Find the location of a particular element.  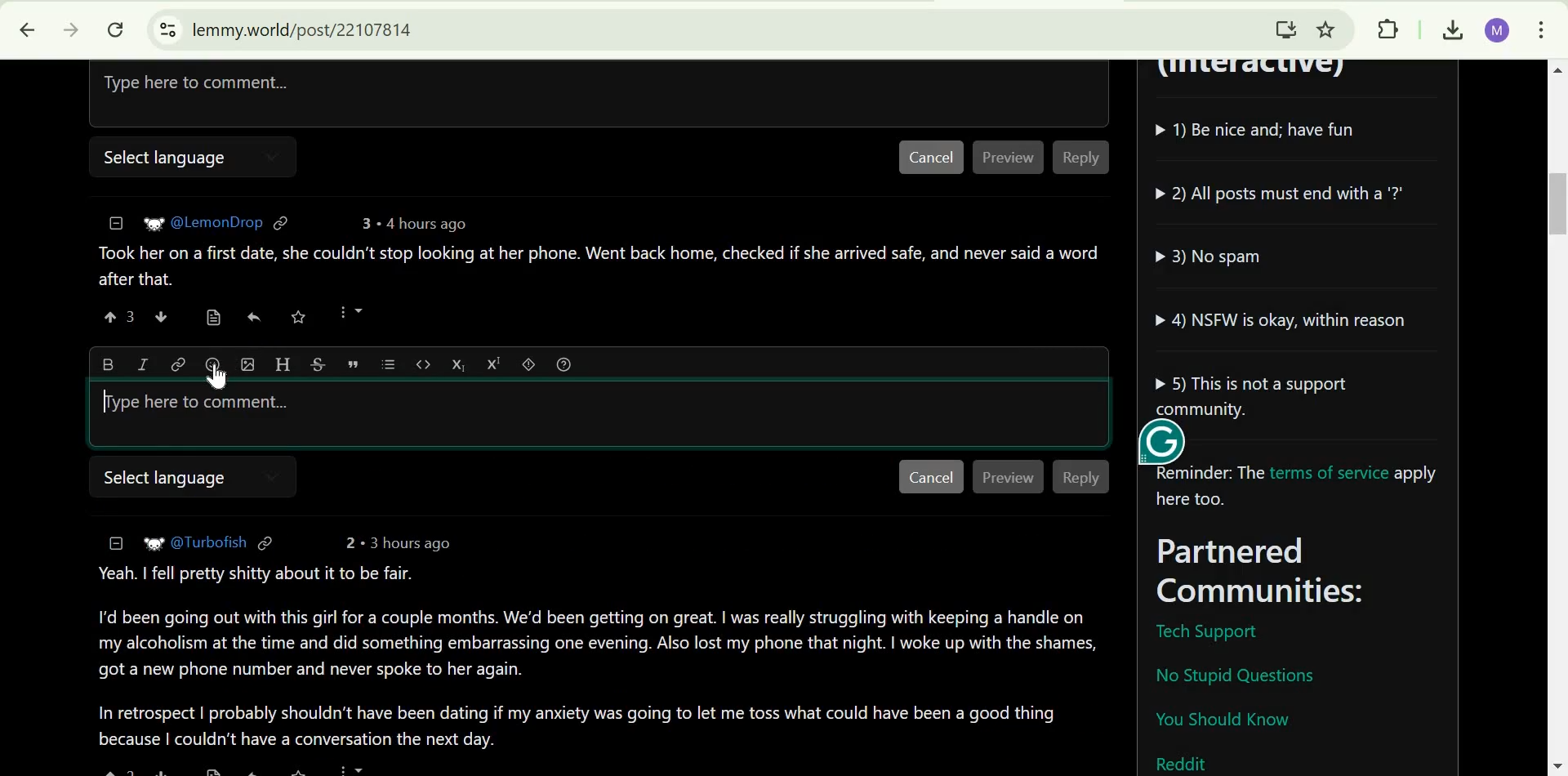

Parterned Communities is located at coordinates (1304, 572).